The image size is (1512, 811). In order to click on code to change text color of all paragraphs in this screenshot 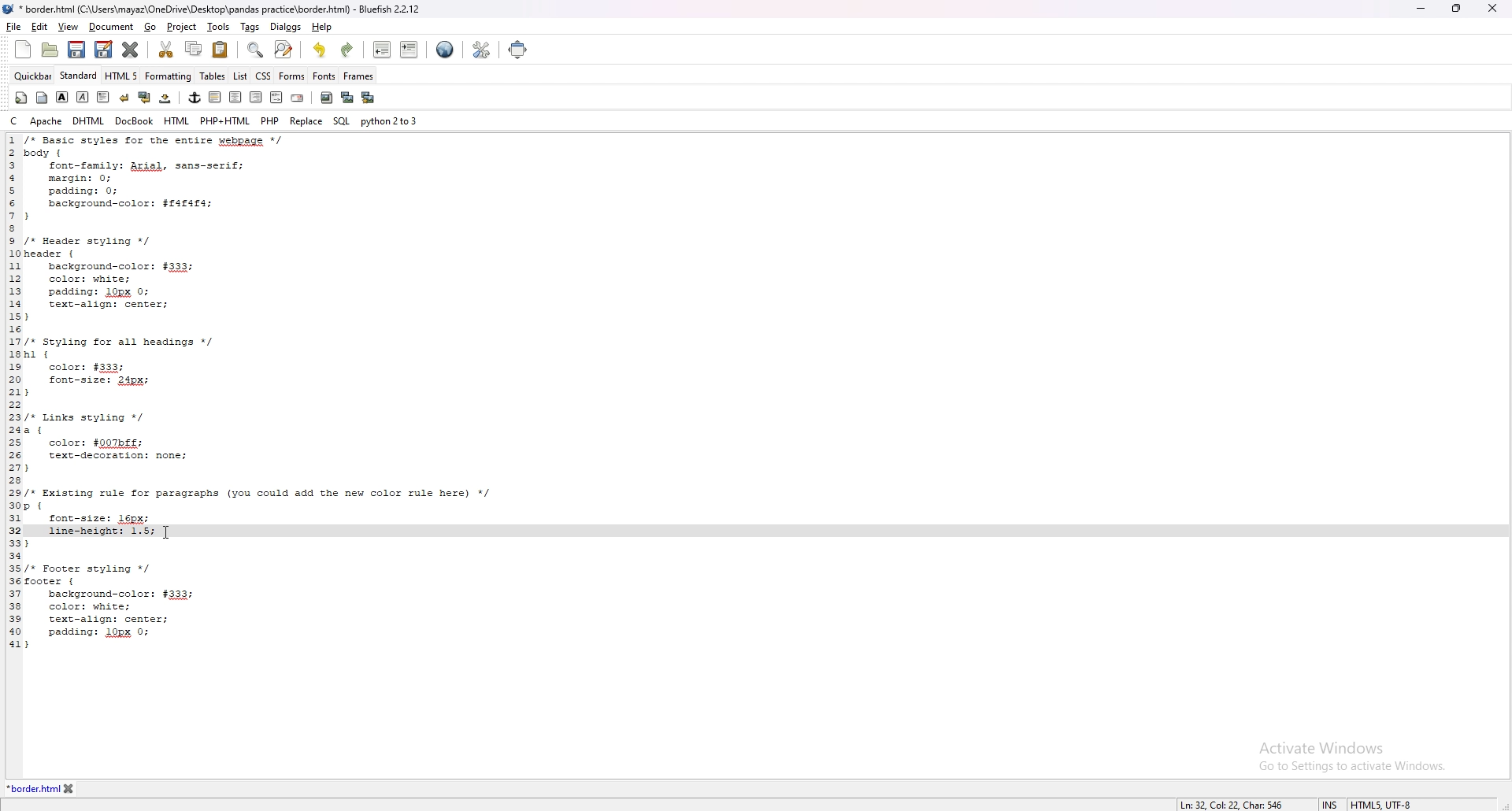, I will do `click(282, 328)`.